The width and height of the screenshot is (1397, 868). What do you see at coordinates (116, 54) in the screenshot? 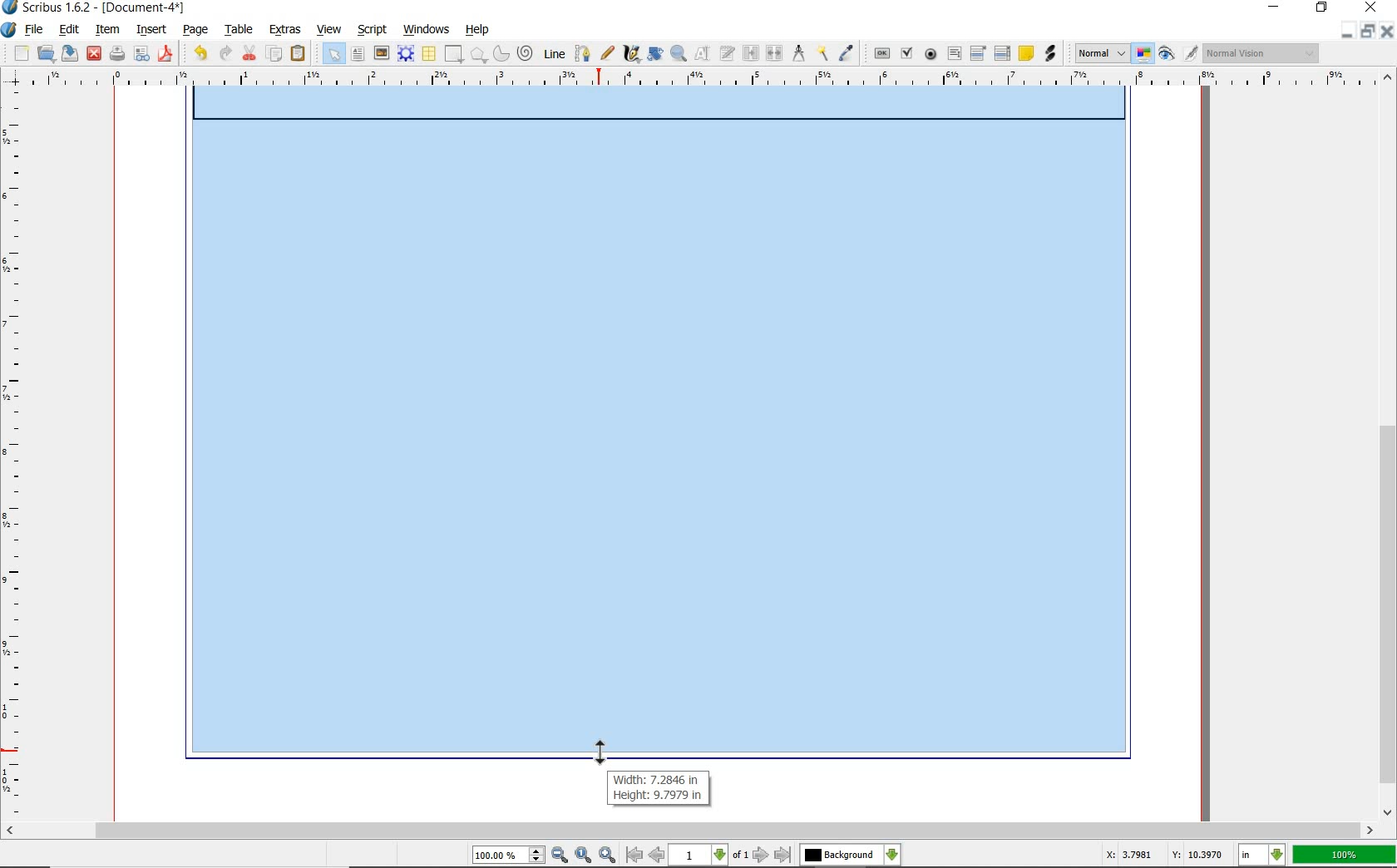
I see `print` at bounding box center [116, 54].